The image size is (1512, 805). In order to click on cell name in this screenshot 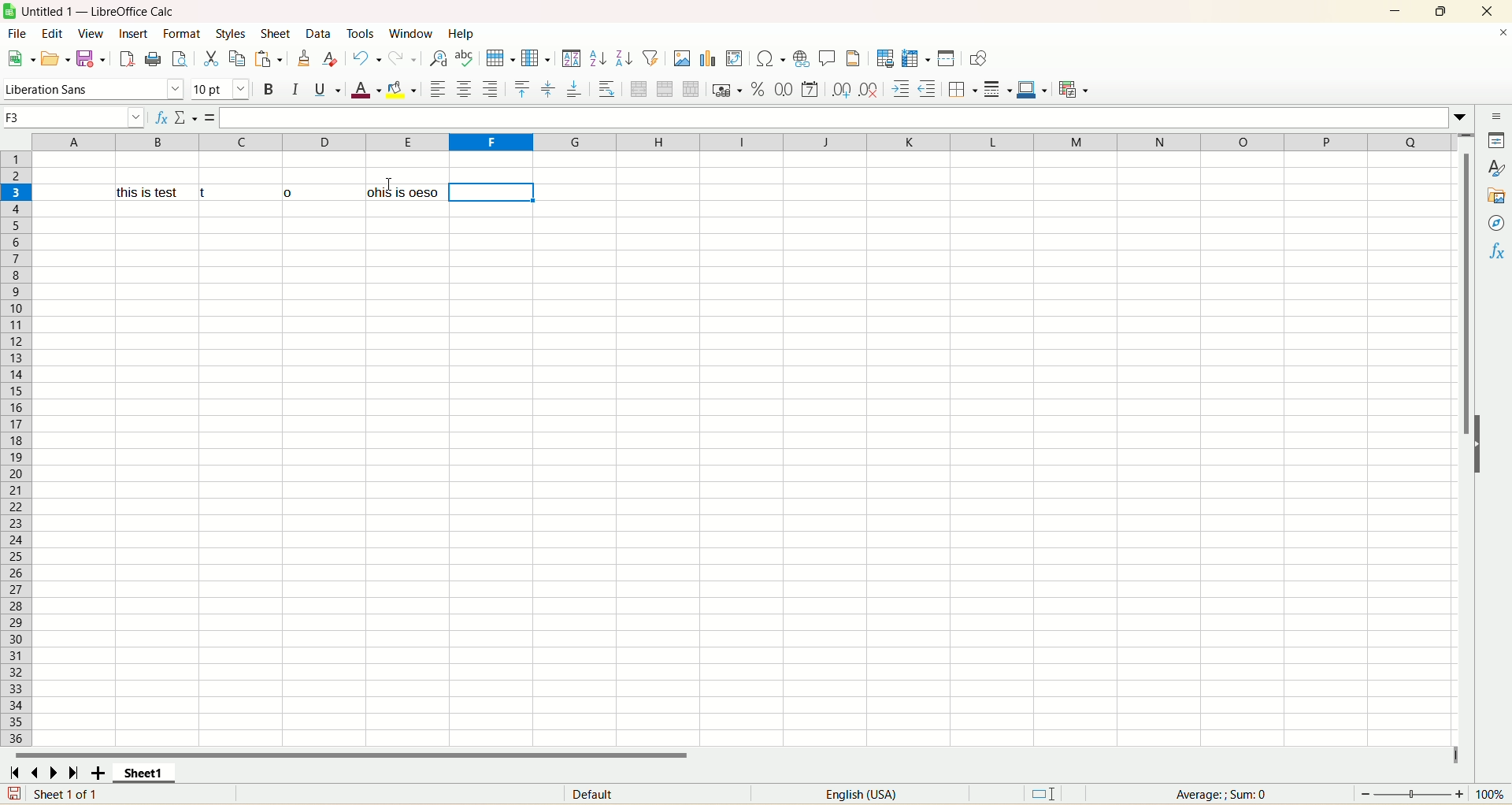, I will do `click(74, 118)`.